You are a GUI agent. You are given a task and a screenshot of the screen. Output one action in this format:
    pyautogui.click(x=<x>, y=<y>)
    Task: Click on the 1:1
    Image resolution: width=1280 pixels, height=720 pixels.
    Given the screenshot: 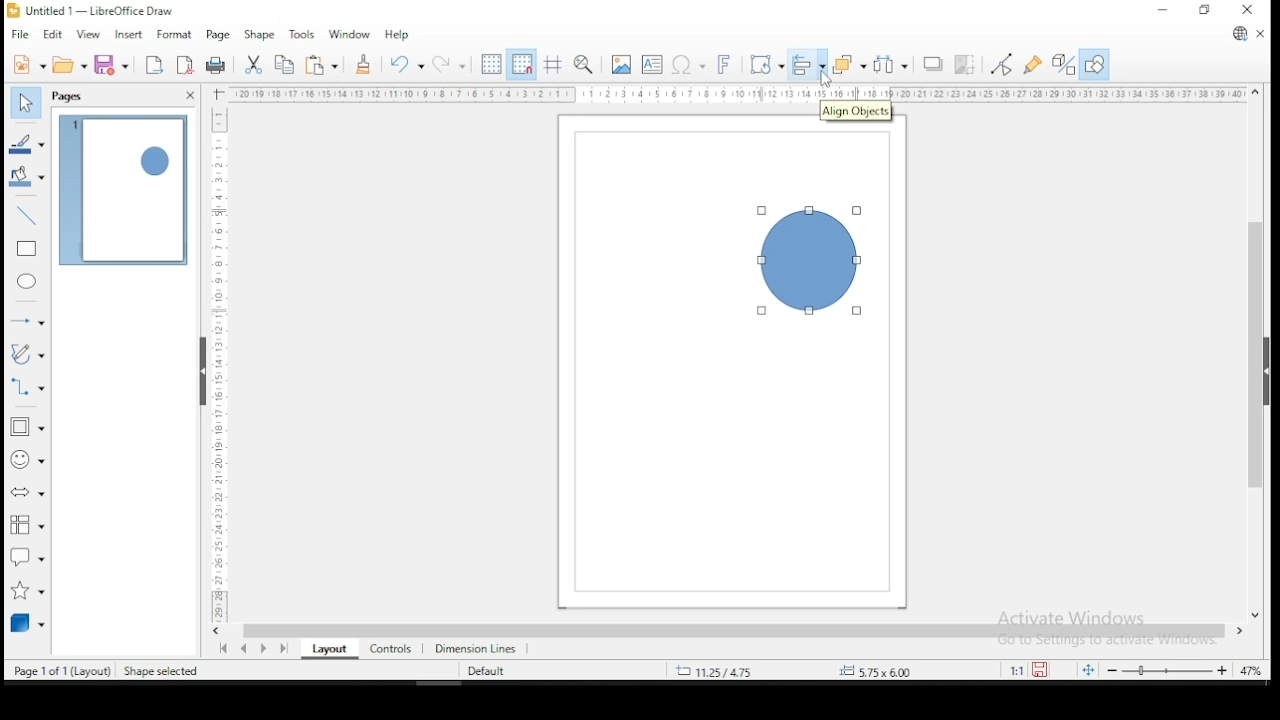 What is the action you would take?
    pyautogui.click(x=1015, y=670)
    